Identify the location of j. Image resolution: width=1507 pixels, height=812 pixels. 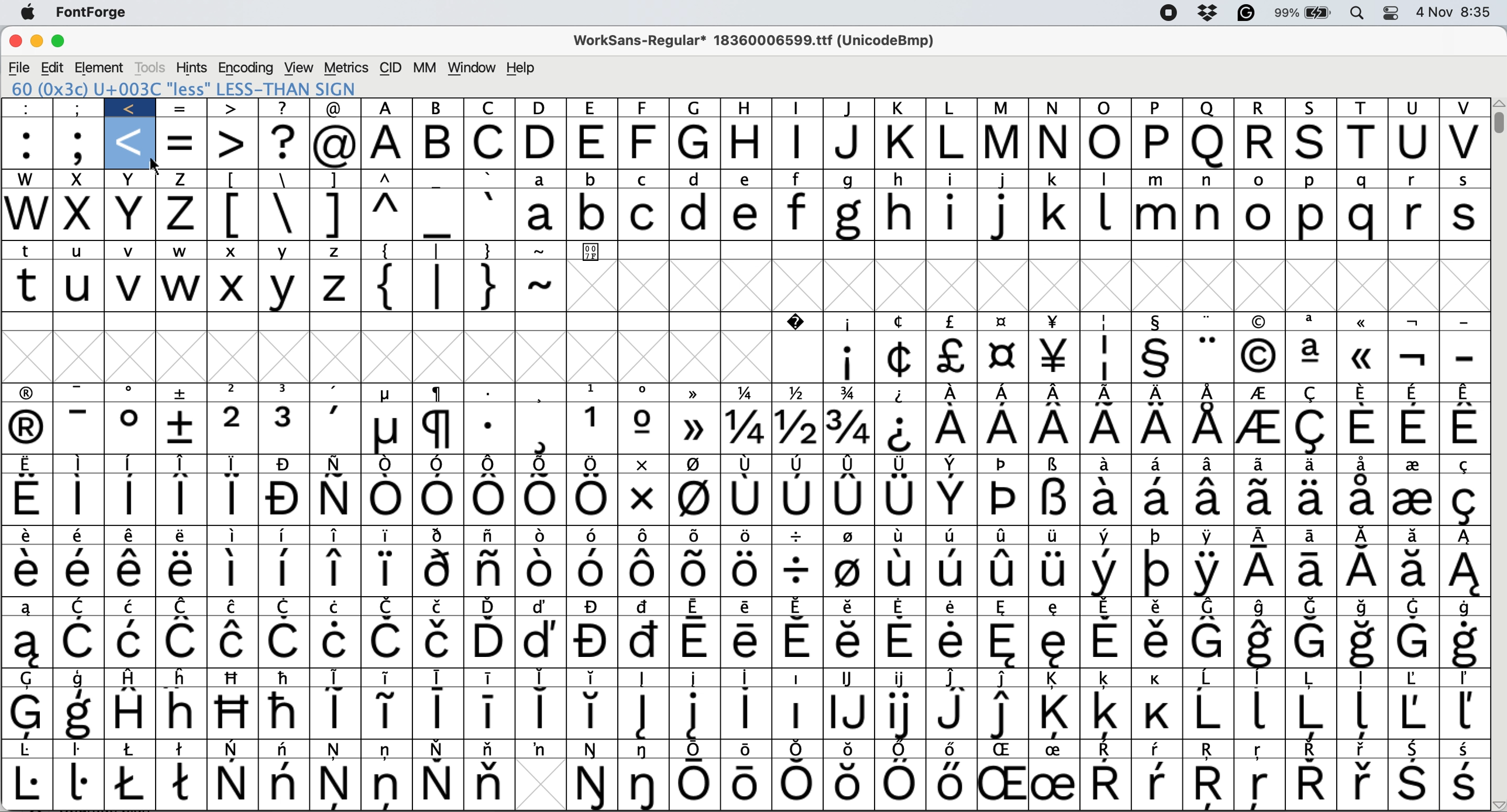
(1005, 179).